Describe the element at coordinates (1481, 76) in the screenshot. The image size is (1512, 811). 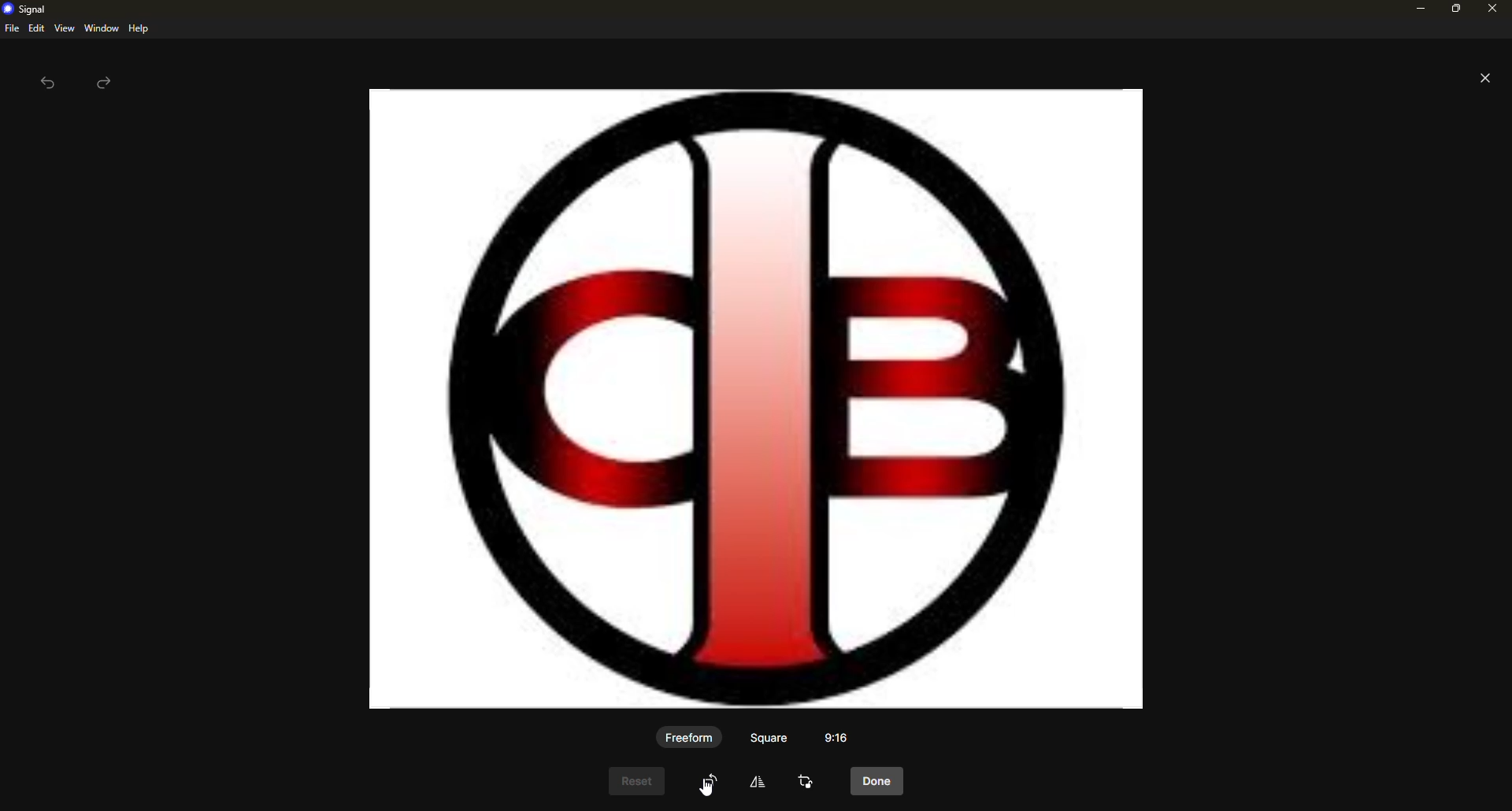
I see `close` at that location.